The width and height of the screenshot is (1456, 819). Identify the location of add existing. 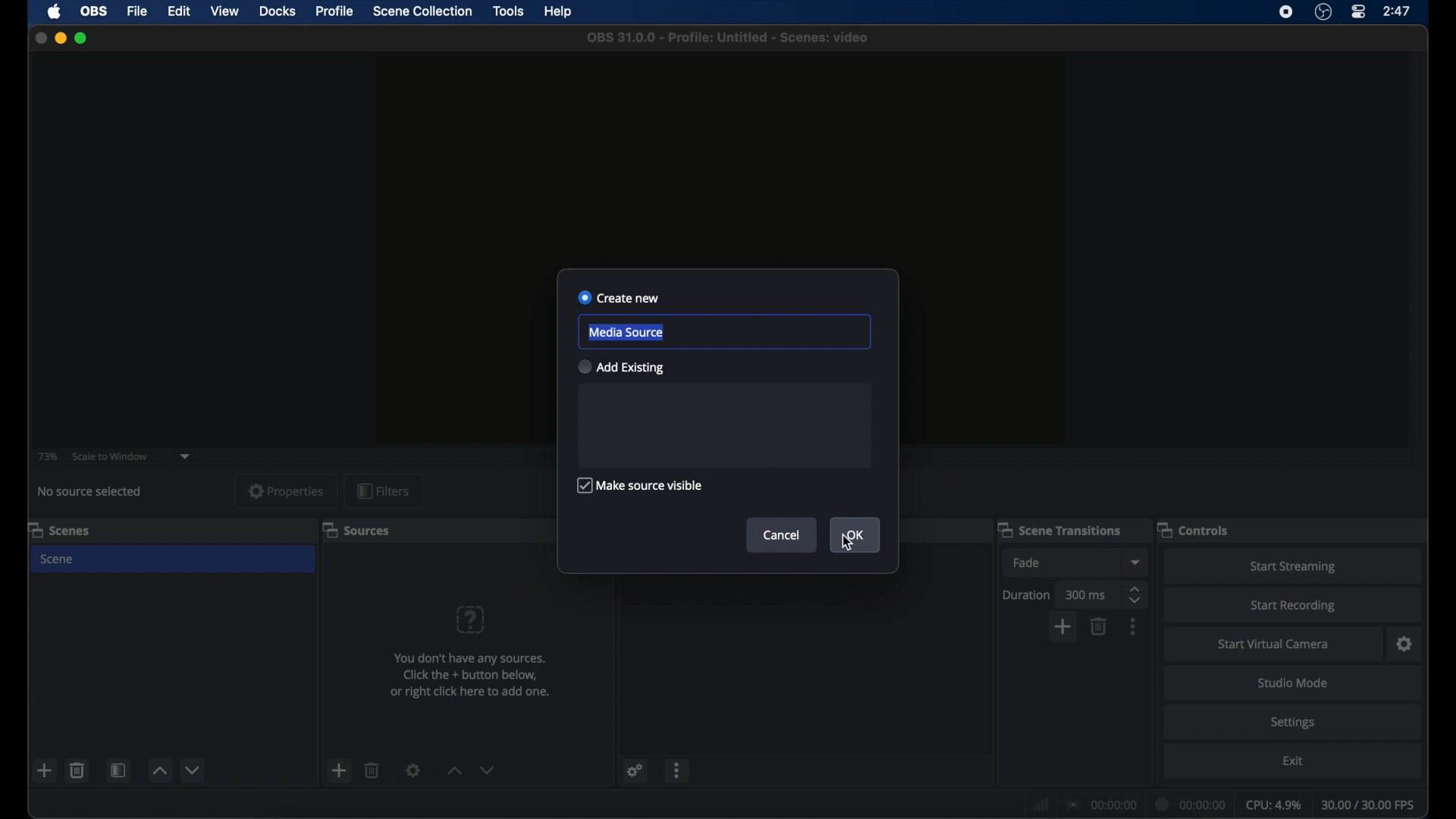
(622, 367).